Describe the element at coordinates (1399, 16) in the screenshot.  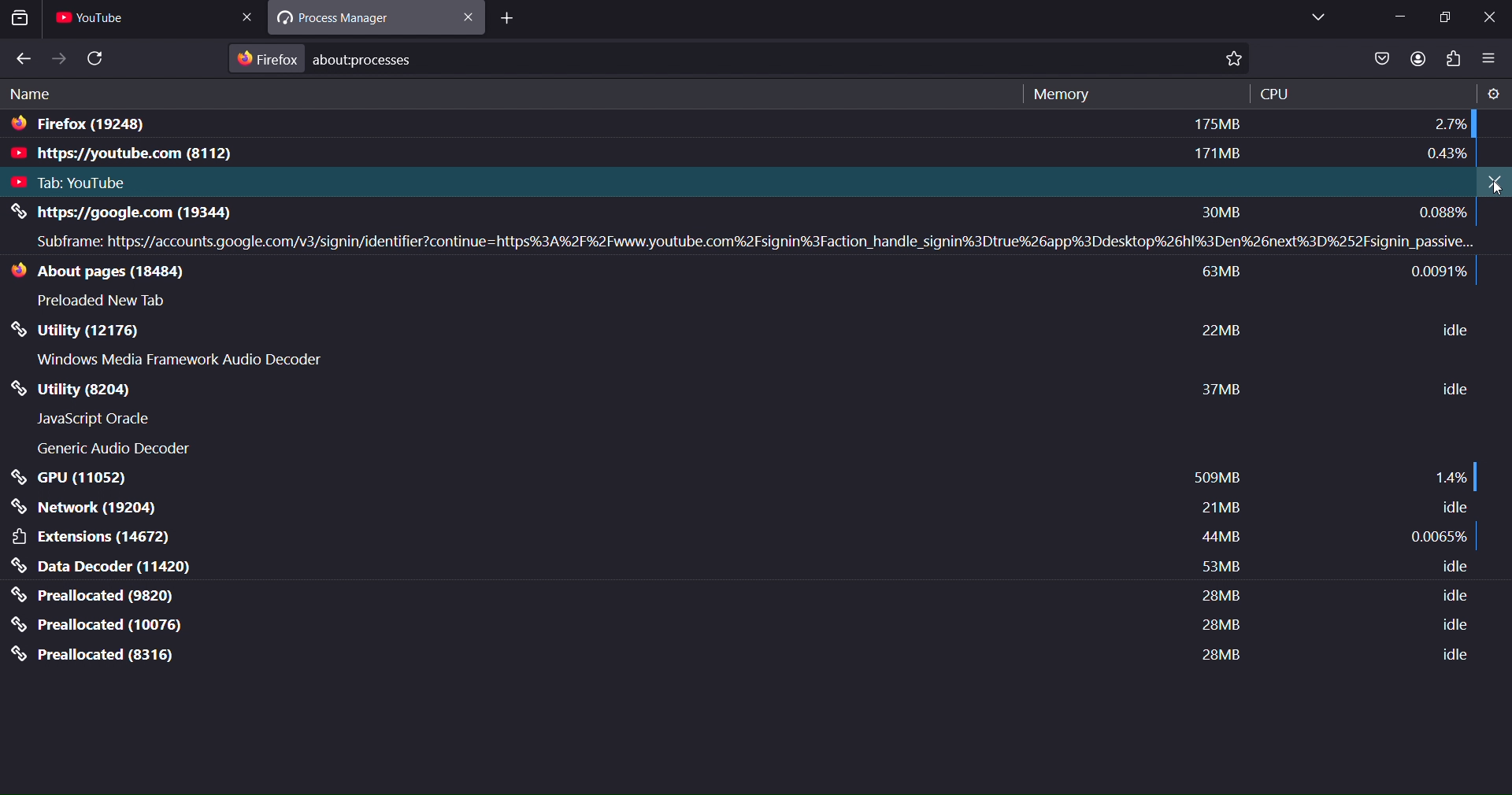
I see `minimize` at that location.